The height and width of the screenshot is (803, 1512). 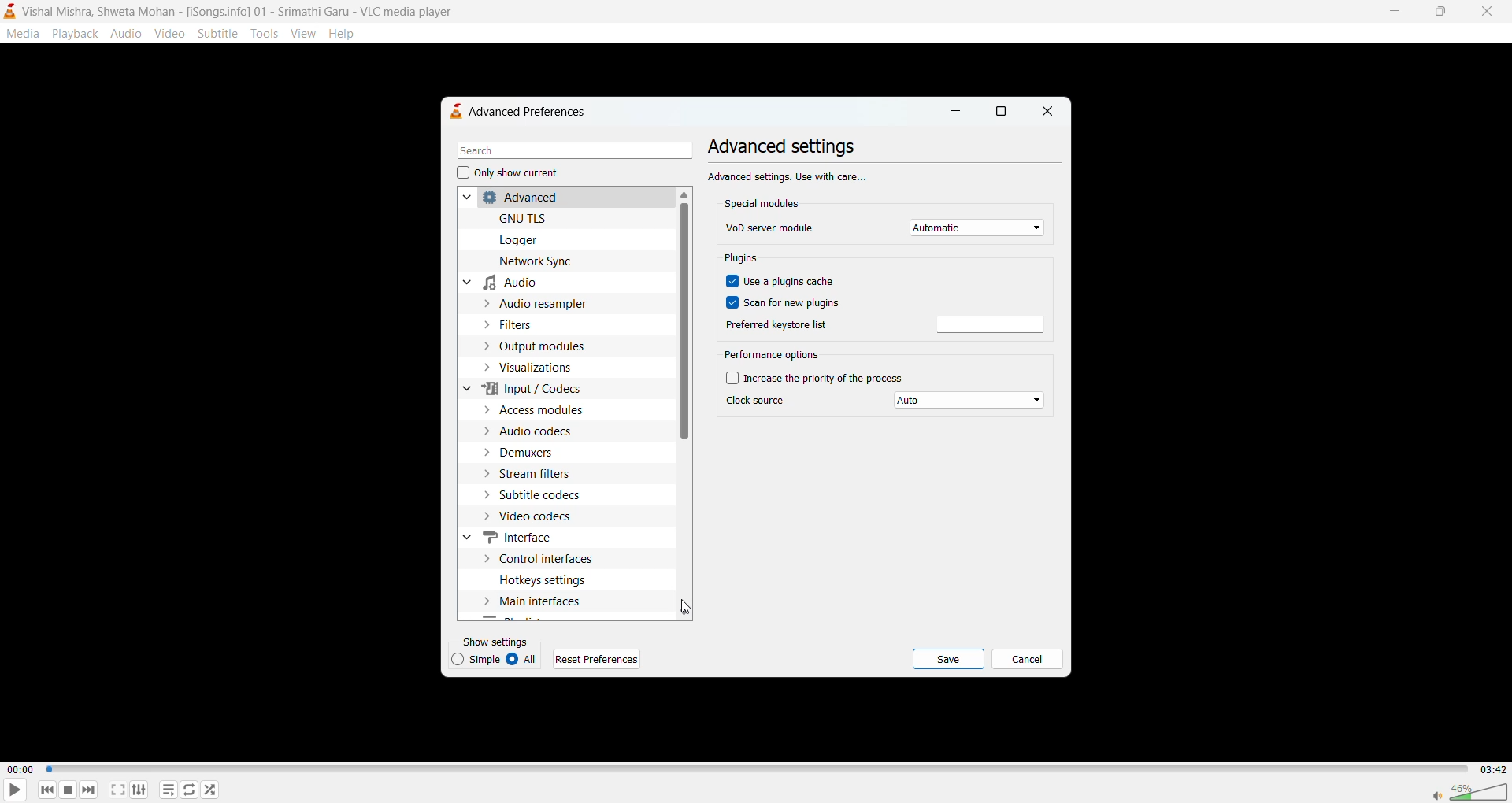 I want to click on audio codecs, so click(x=539, y=431).